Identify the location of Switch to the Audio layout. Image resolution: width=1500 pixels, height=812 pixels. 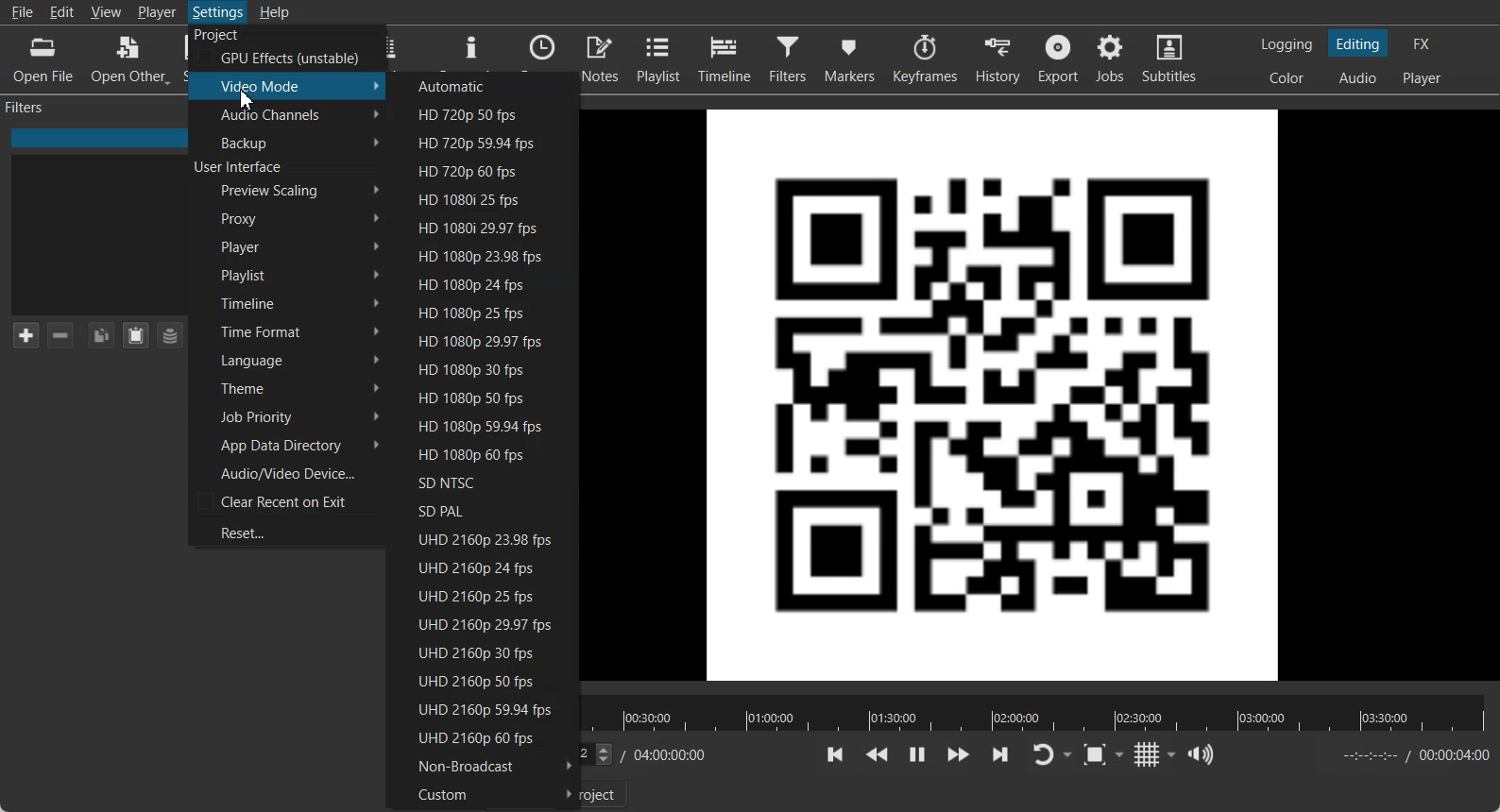
(1357, 77).